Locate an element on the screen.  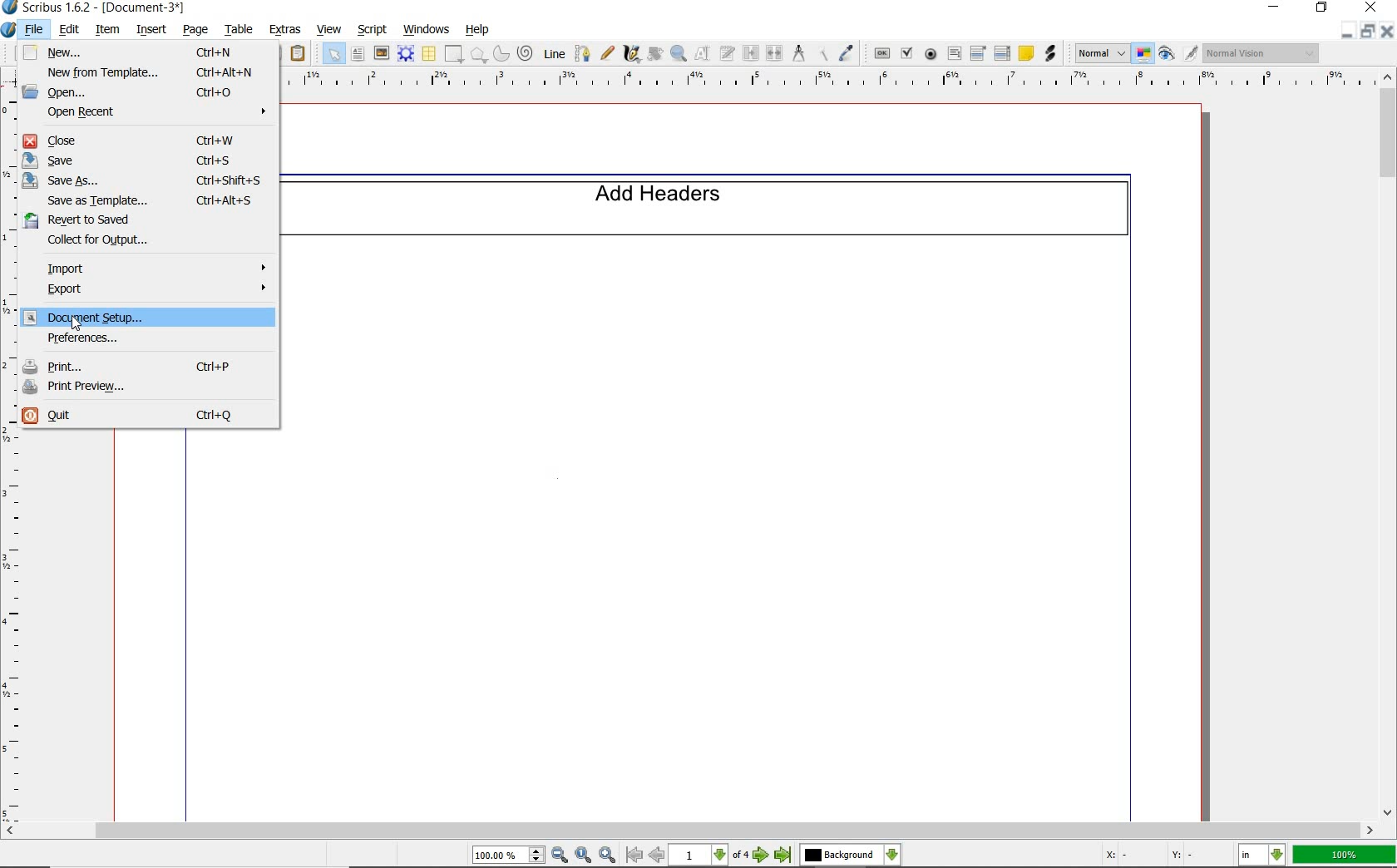
unlink text frames is located at coordinates (773, 52).